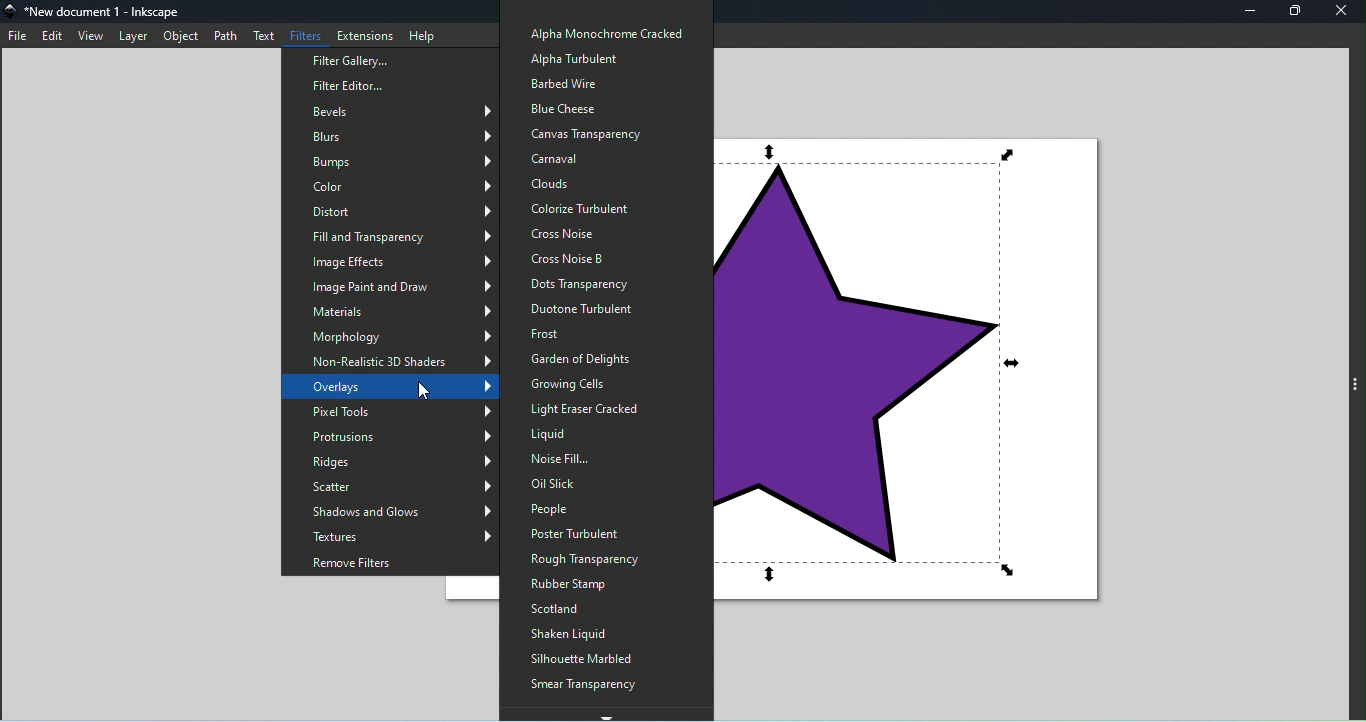 The height and width of the screenshot is (722, 1366). Describe the element at coordinates (262, 35) in the screenshot. I see `Text` at that location.